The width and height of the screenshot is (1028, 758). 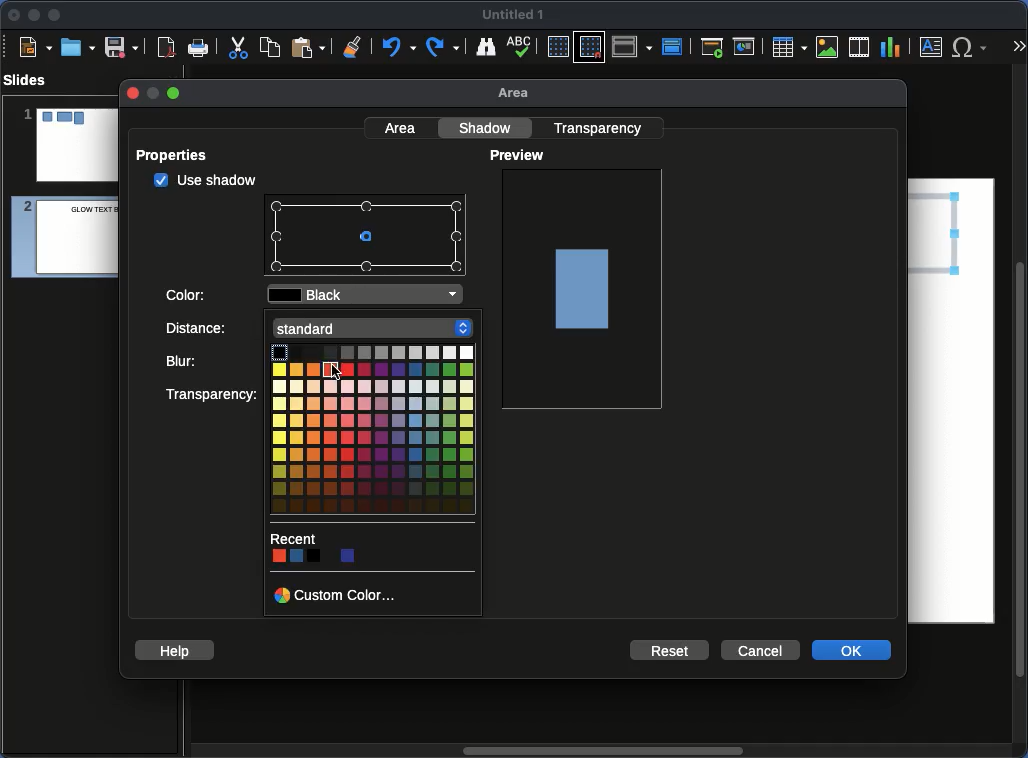 I want to click on Redo, so click(x=444, y=47).